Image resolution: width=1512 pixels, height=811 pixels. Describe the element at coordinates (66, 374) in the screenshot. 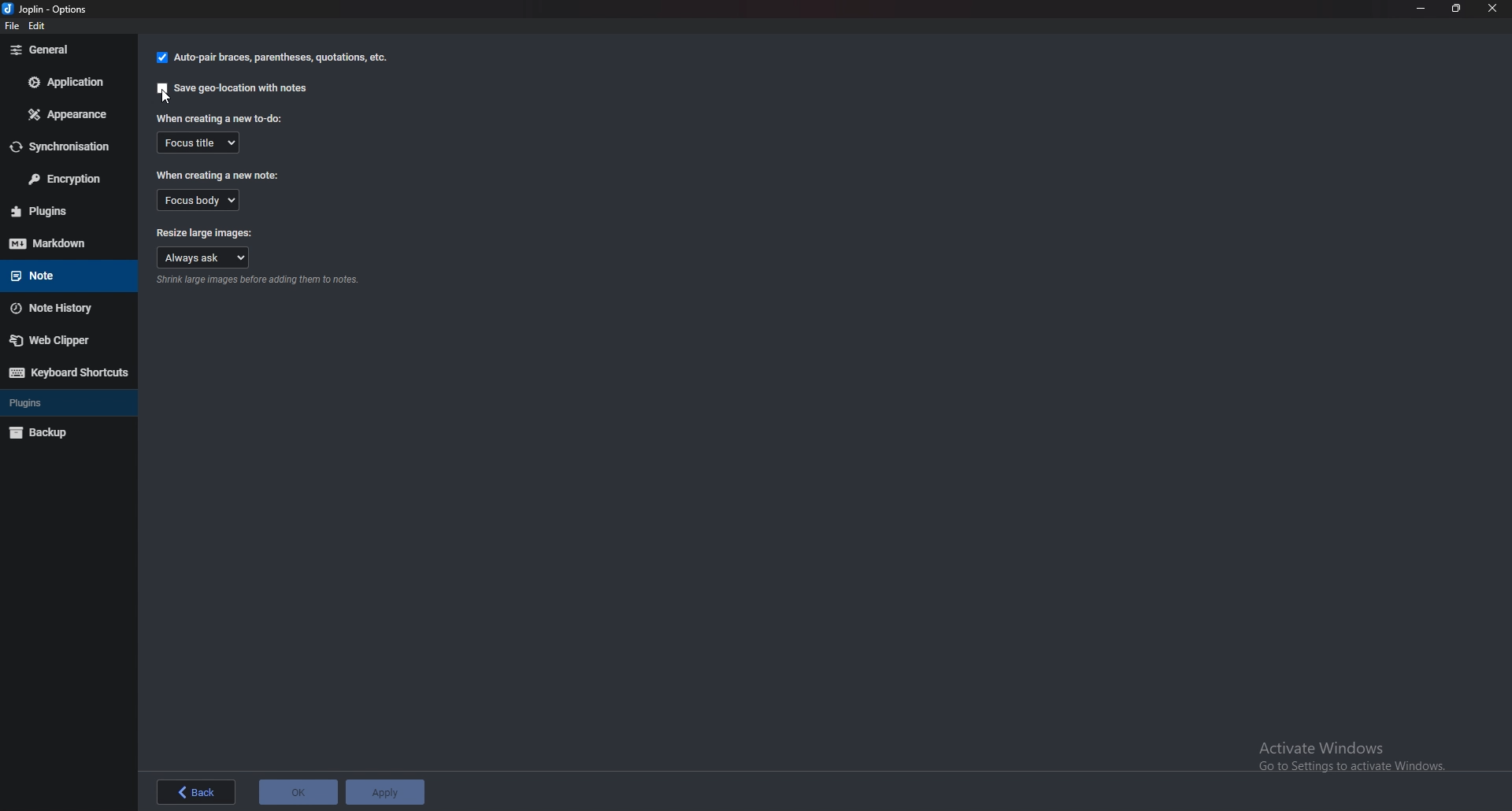

I see `Keyboard shortcuts` at that location.